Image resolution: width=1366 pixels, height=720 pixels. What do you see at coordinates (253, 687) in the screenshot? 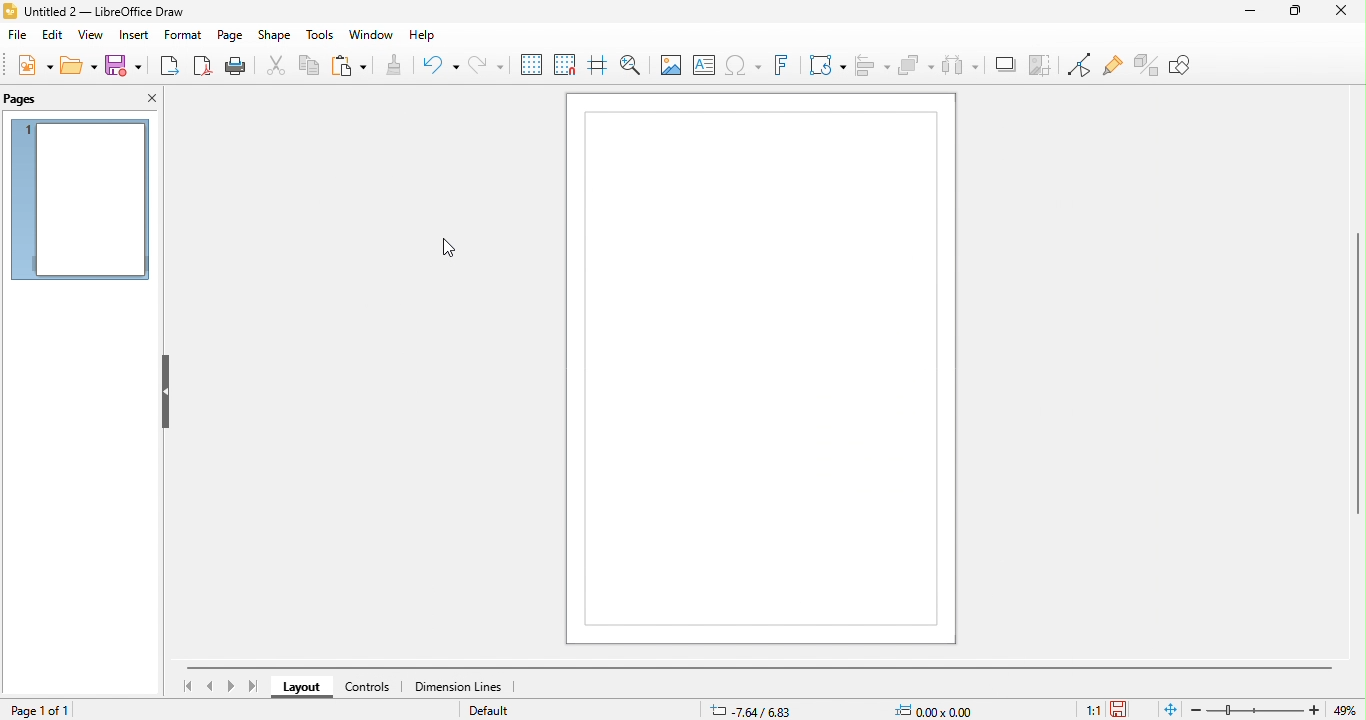
I see `last page` at bounding box center [253, 687].